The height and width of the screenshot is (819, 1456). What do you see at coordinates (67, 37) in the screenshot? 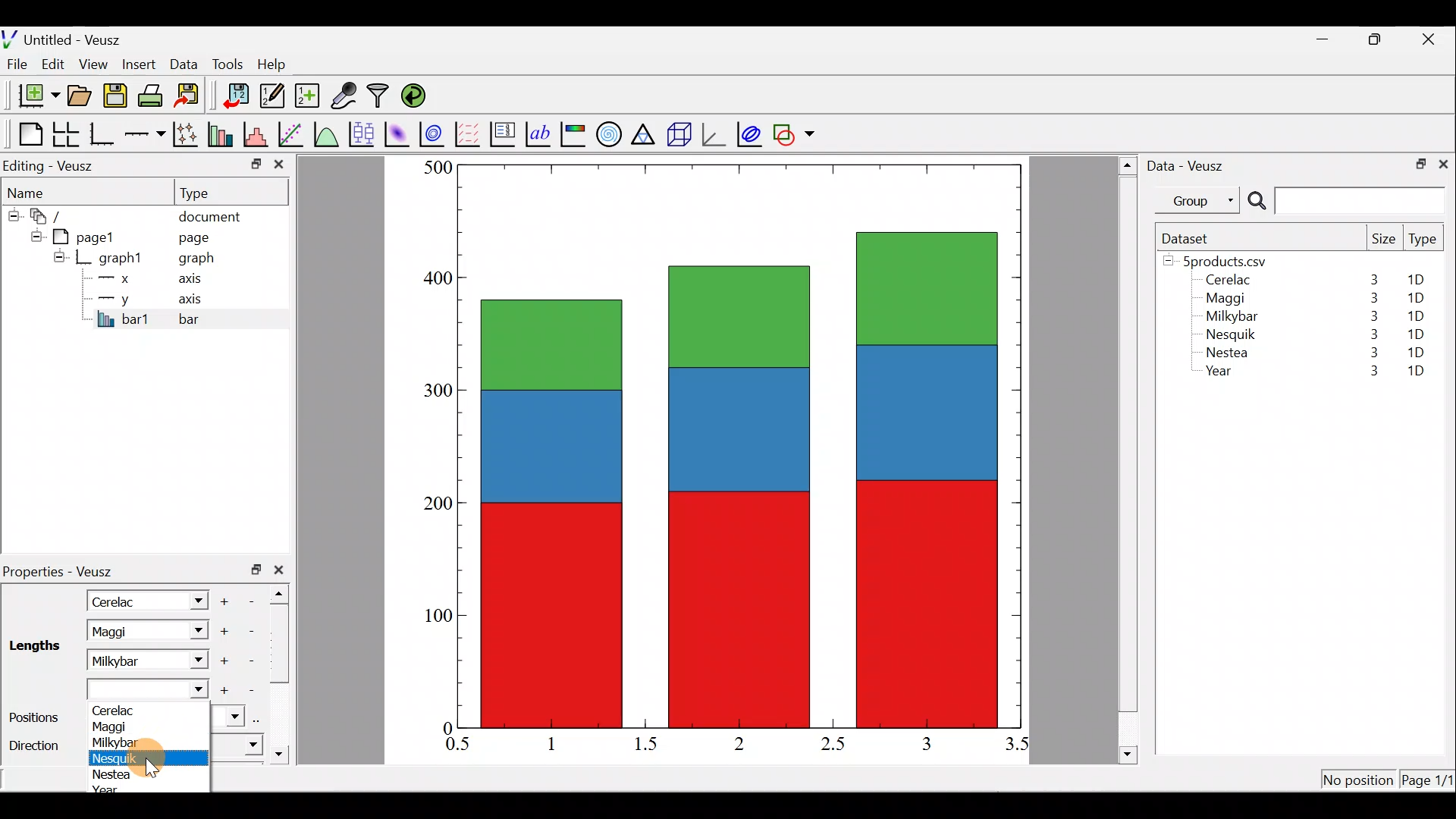
I see `Untitled - Veusz` at bounding box center [67, 37].